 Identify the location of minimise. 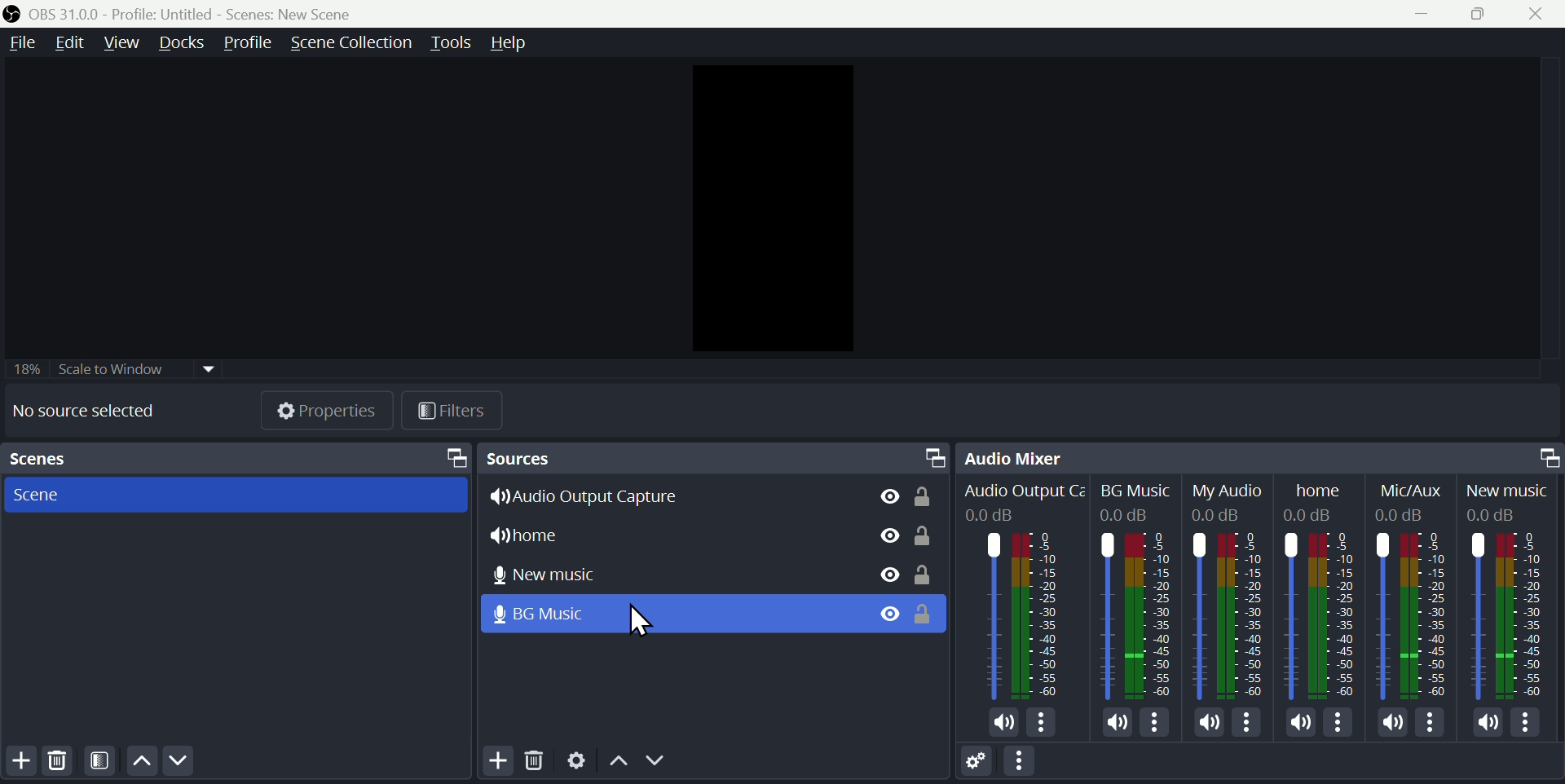
(1414, 11).